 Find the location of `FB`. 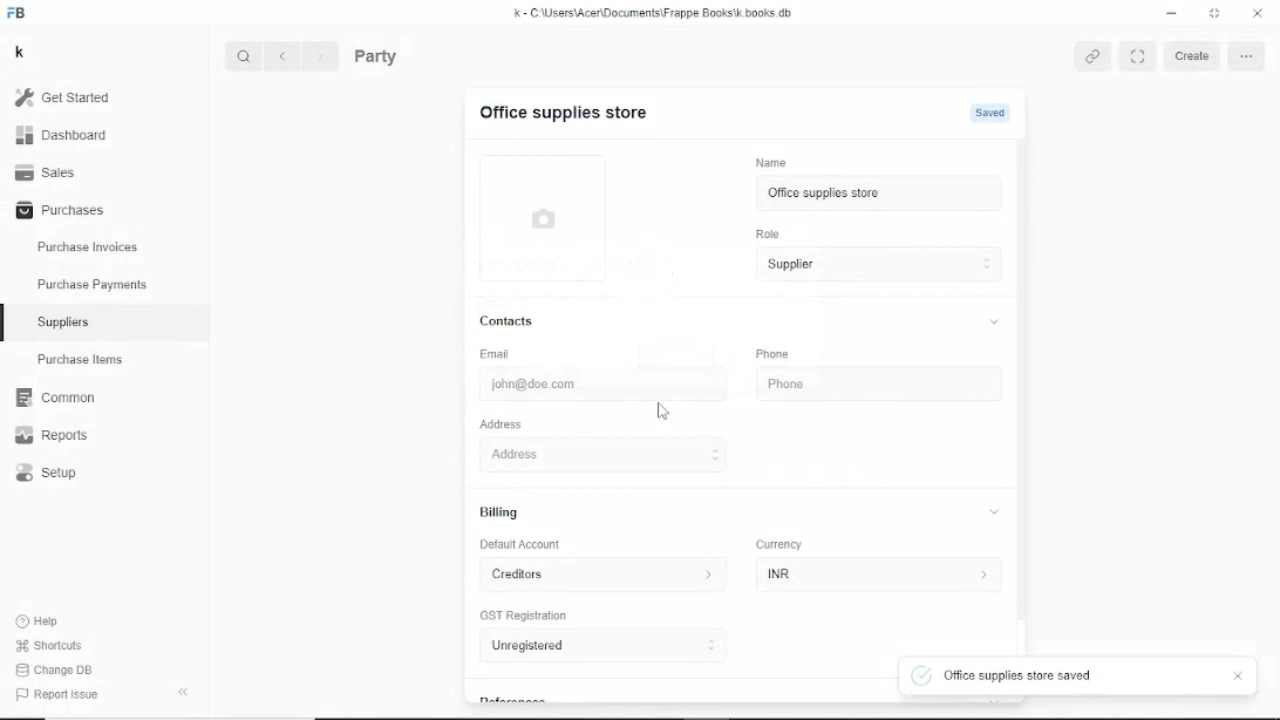

FB is located at coordinates (18, 12).